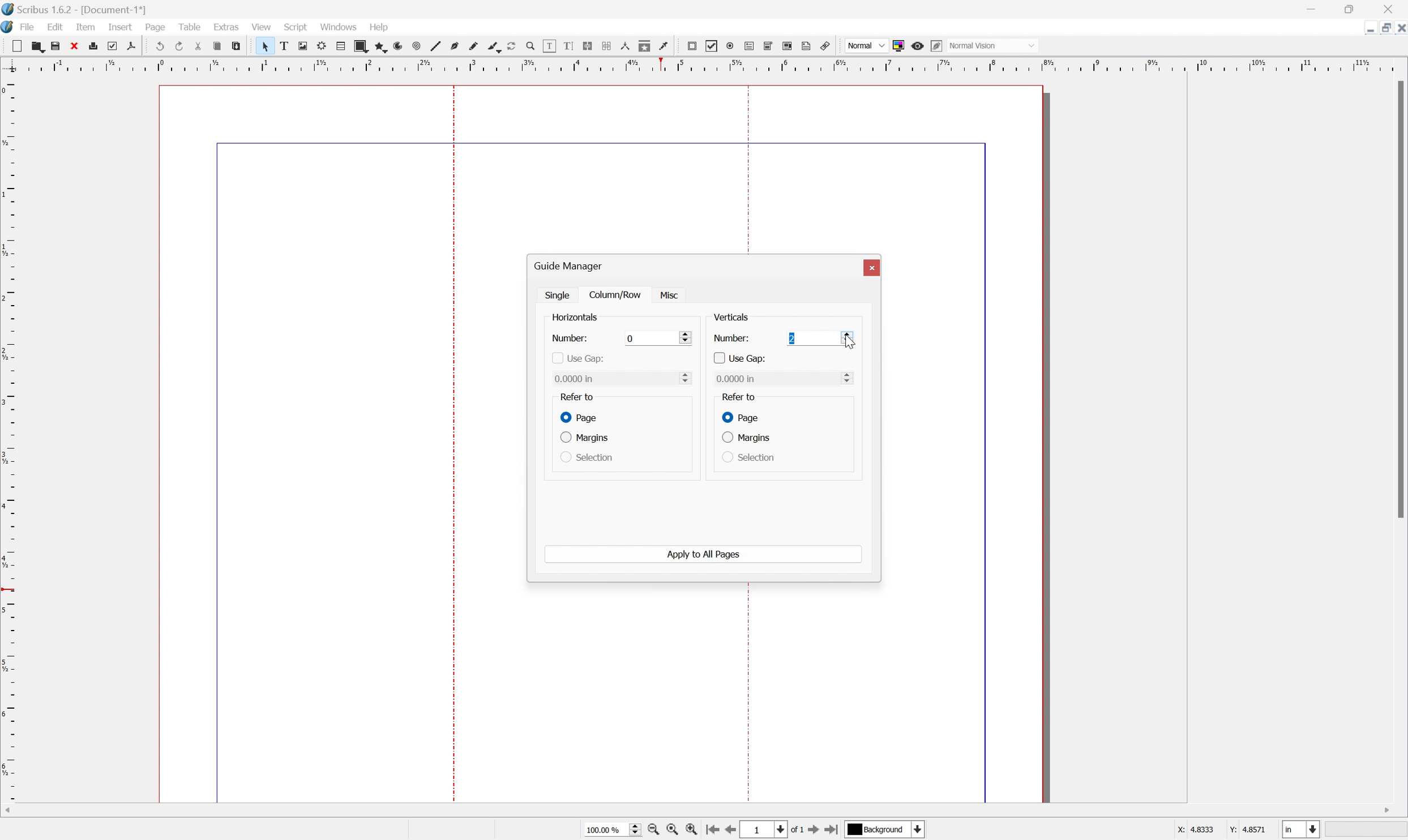 This screenshot has width=1408, height=840. Describe the element at coordinates (131, 47) in the screenshot. I see `export directly as PDF` at that location.